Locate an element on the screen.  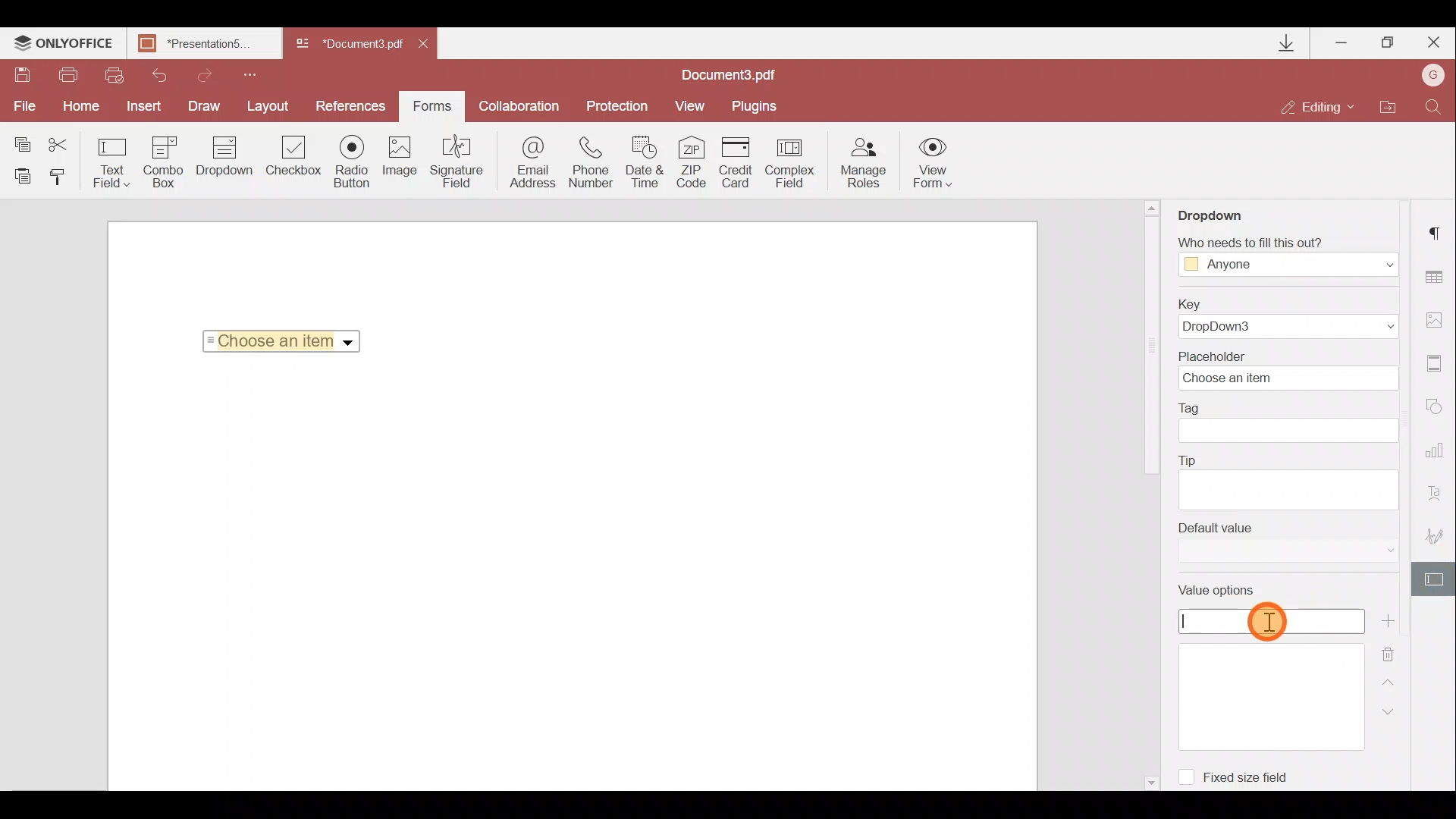
Close is located at coordinates (1432, 43).